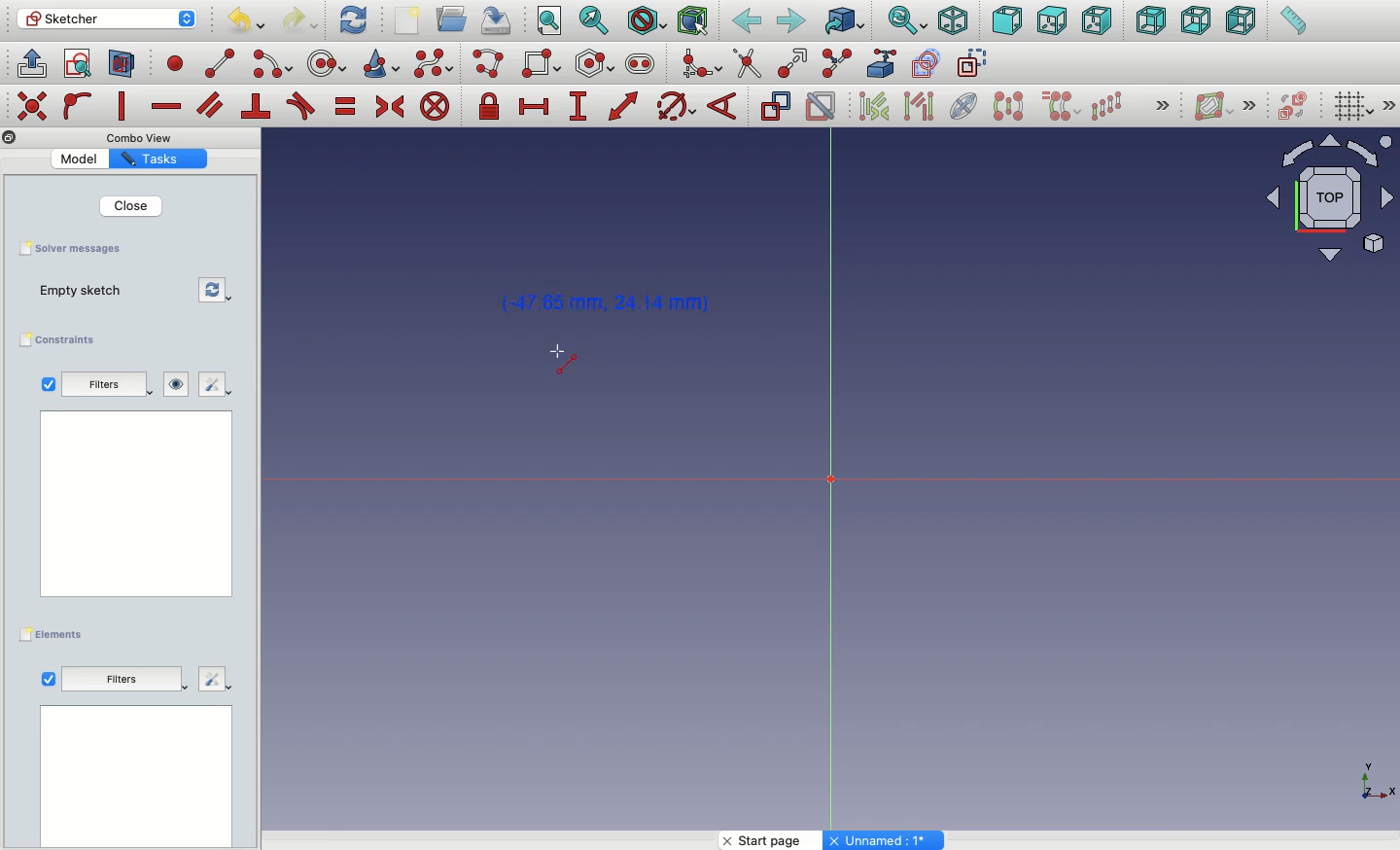  I want to click on Constrain Circle, so click(677, 106).